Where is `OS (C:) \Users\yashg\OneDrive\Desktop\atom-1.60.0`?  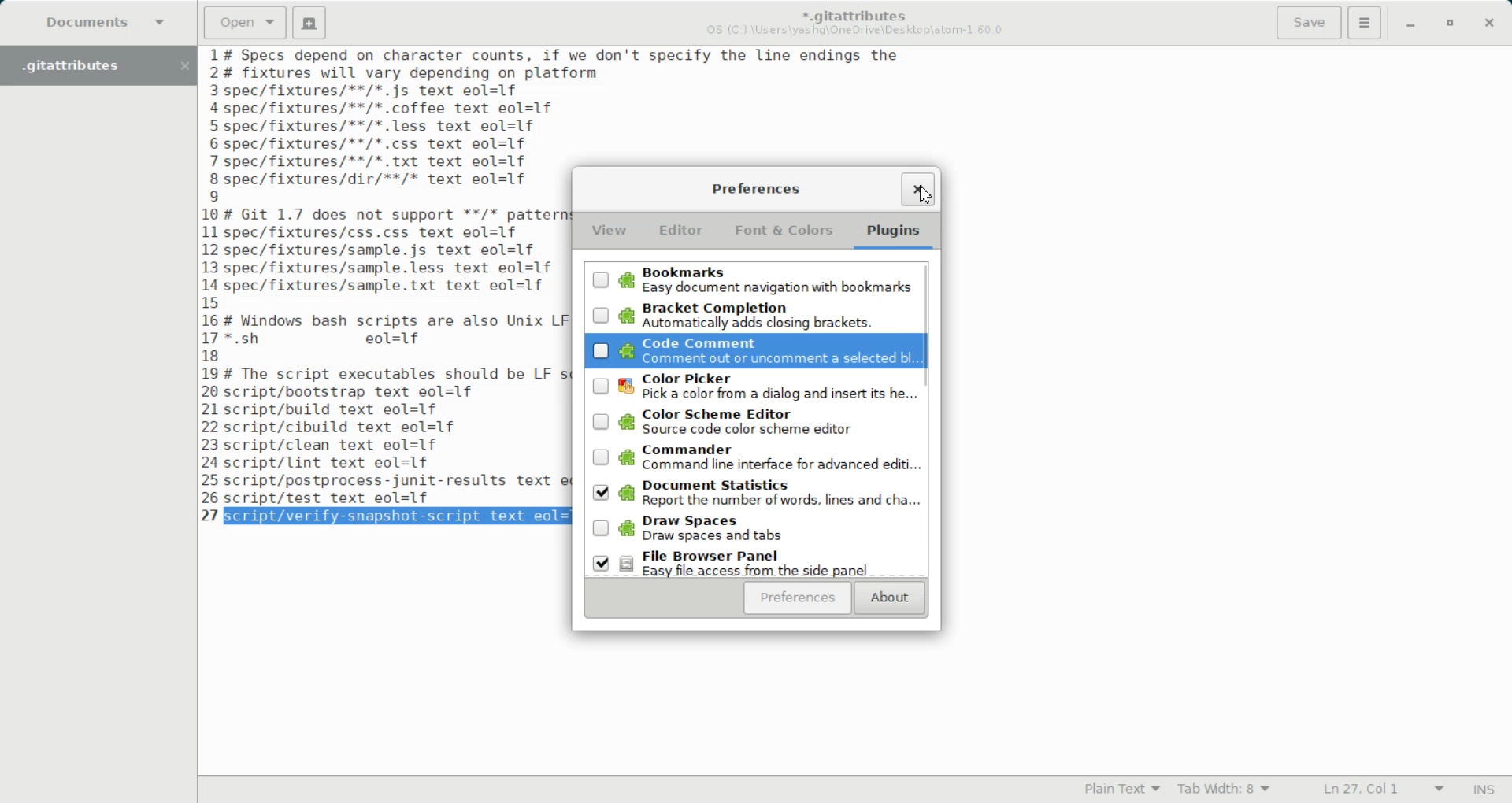
OS (C:) \Users\yashg\OneDrive\Desktop\atom-1.60.0 is located at coordinates (858, 31).